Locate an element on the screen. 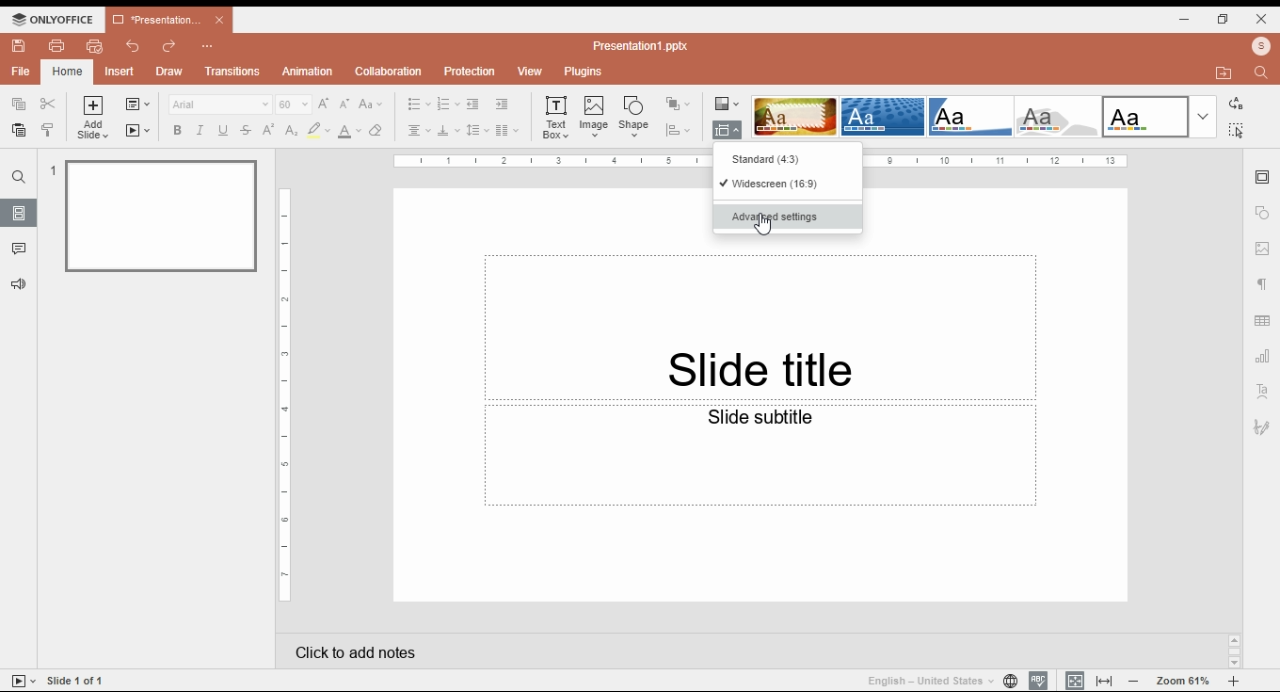  italics is located at coordinates (198, 130).